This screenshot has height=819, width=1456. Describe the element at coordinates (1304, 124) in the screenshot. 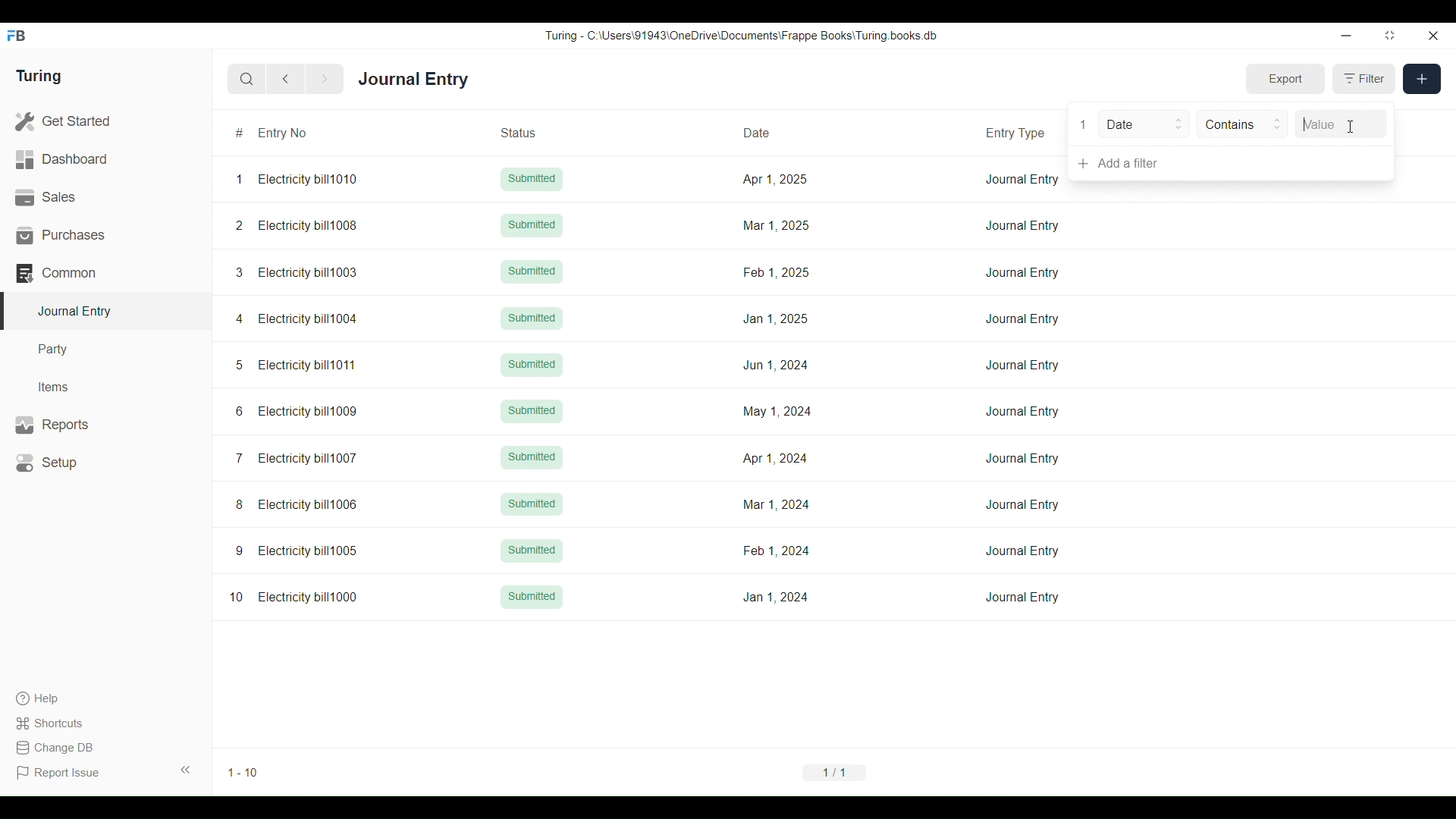

I see `Typing cursor` at that location.